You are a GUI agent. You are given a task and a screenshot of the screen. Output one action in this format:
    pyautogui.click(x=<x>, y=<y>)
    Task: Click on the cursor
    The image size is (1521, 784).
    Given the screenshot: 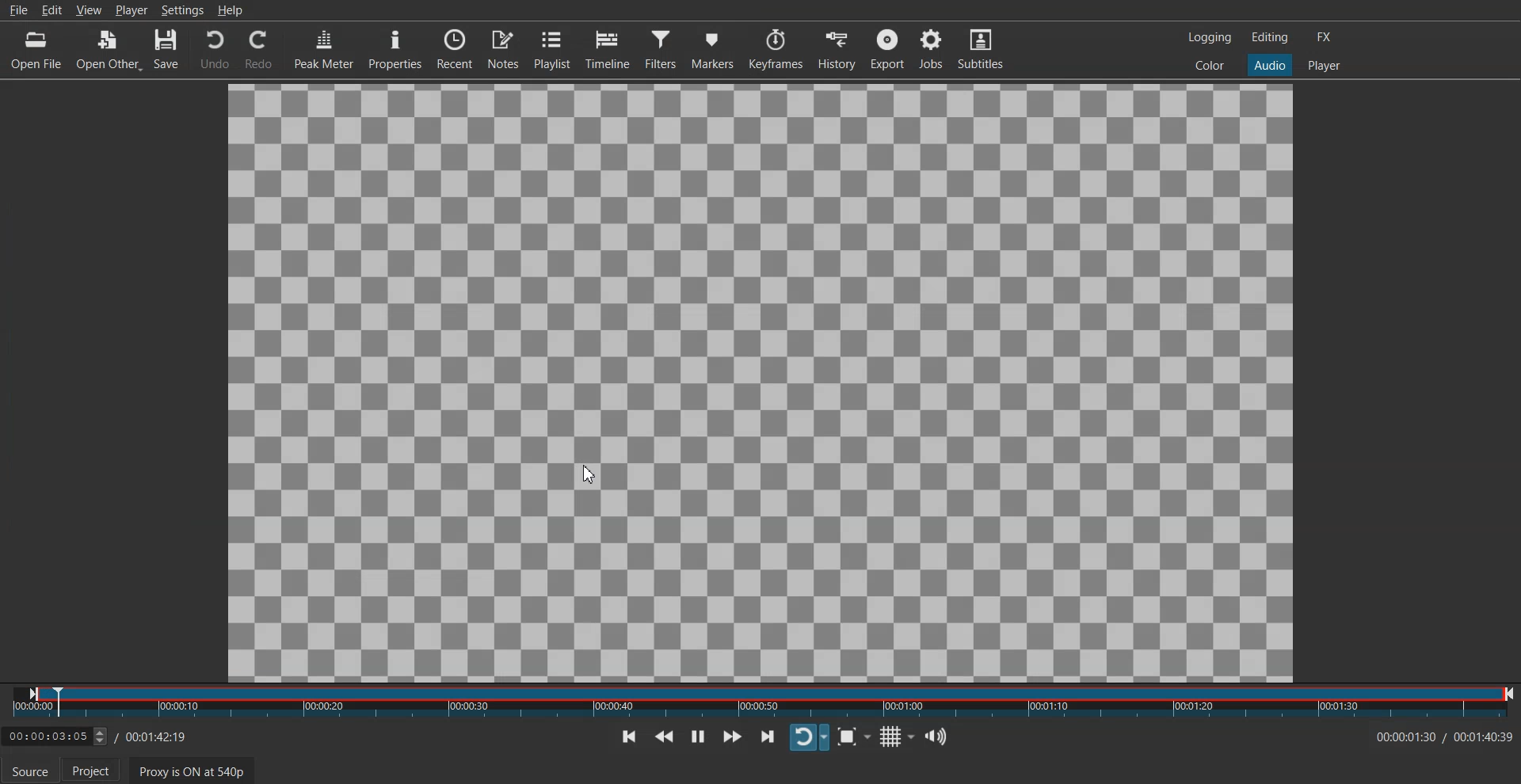 What is the action you would take?
    pyautogui.click(x=577, y=470)
    